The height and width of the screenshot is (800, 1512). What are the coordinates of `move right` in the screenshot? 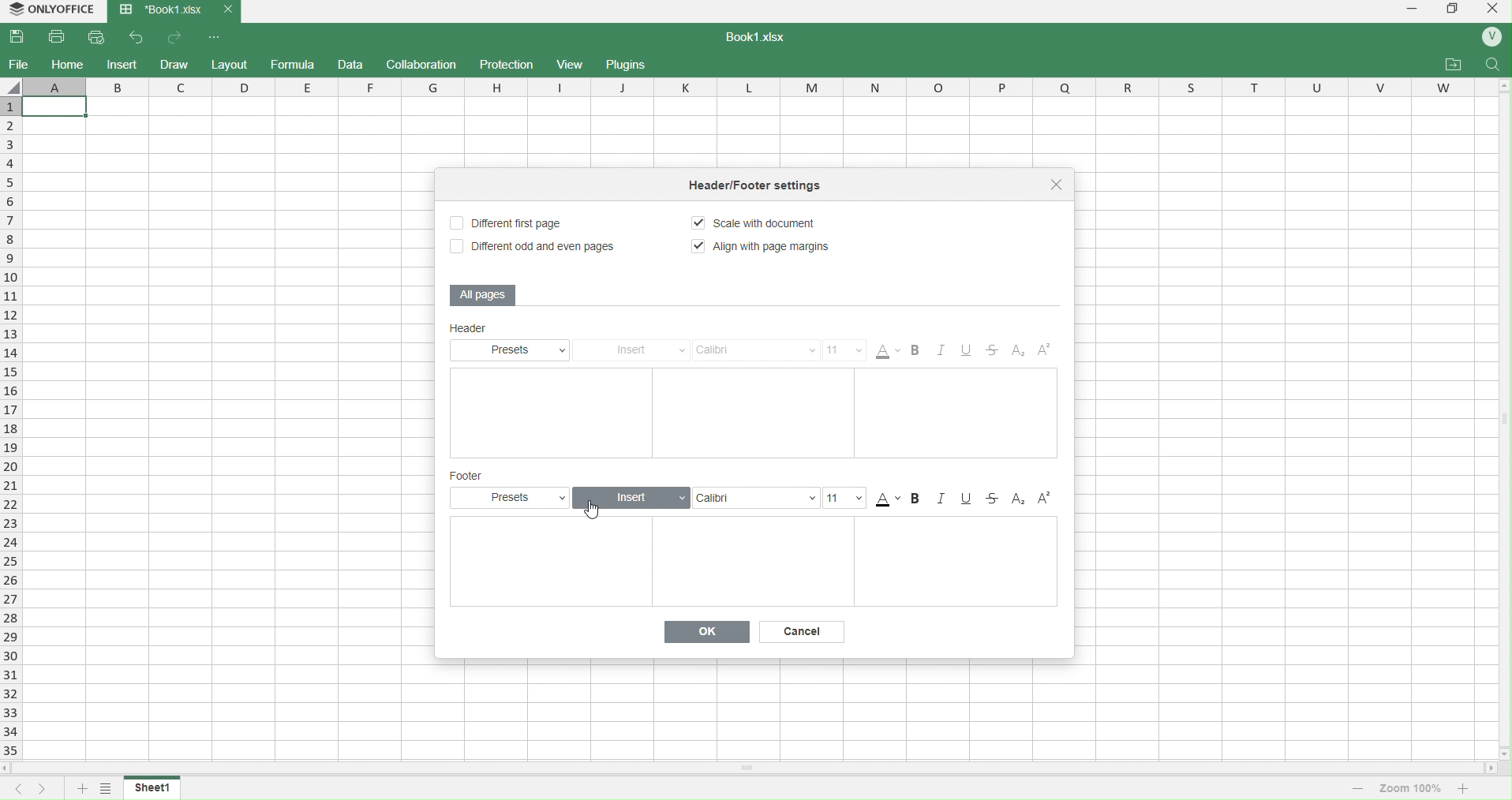 It's located at (1491, 769).